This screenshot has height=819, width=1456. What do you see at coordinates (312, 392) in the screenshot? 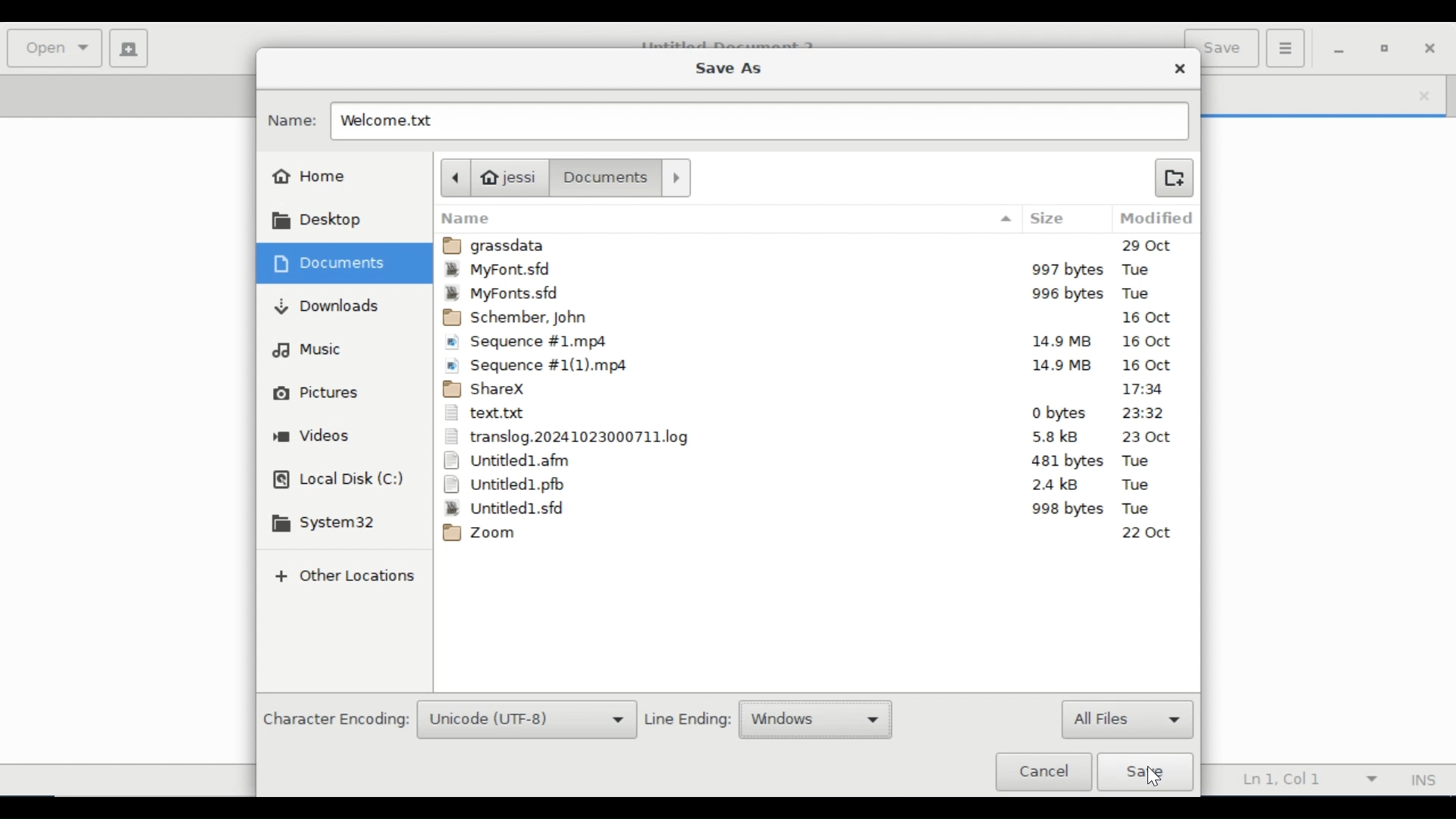
I see `Pictures` at bounding box center [312, 392].